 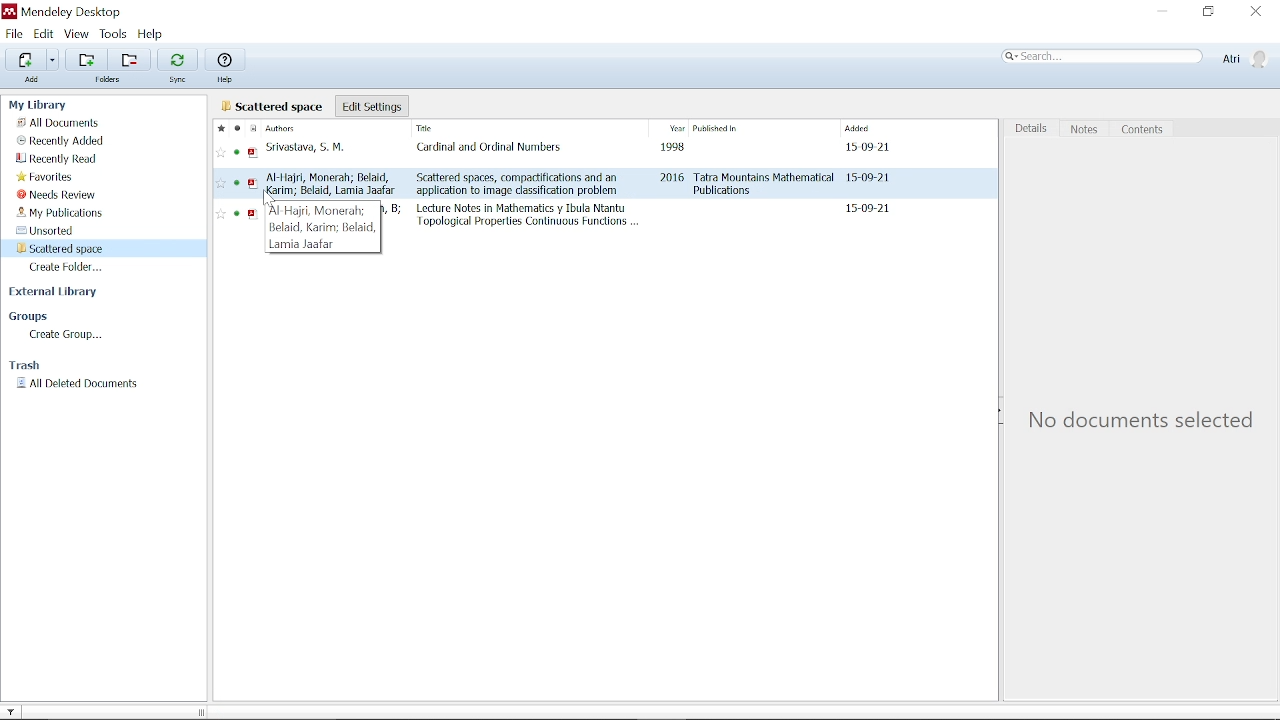 I want to click on Recently added, so click(x=63, y=141).